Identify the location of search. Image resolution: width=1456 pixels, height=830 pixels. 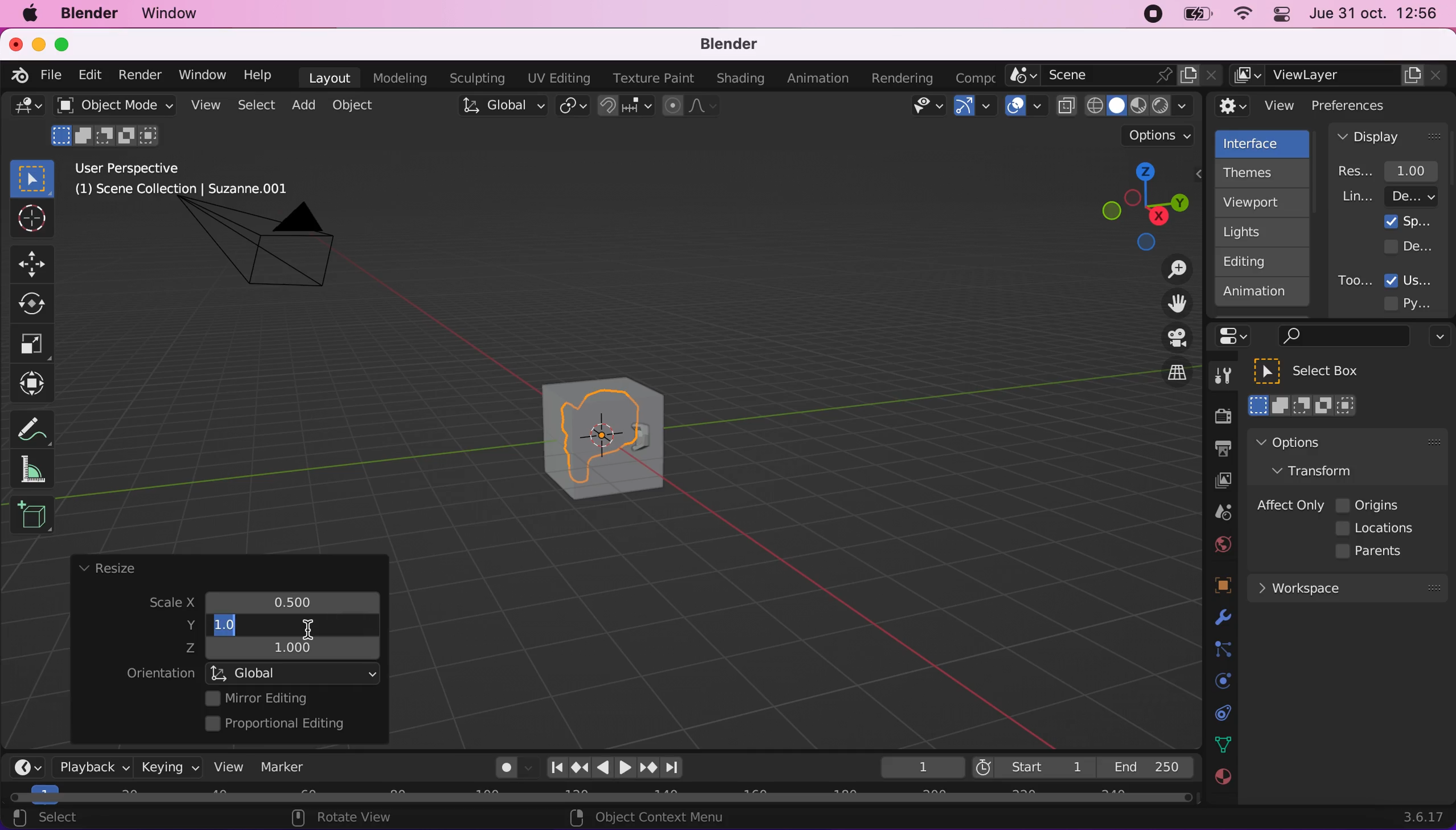
(1341, 337).